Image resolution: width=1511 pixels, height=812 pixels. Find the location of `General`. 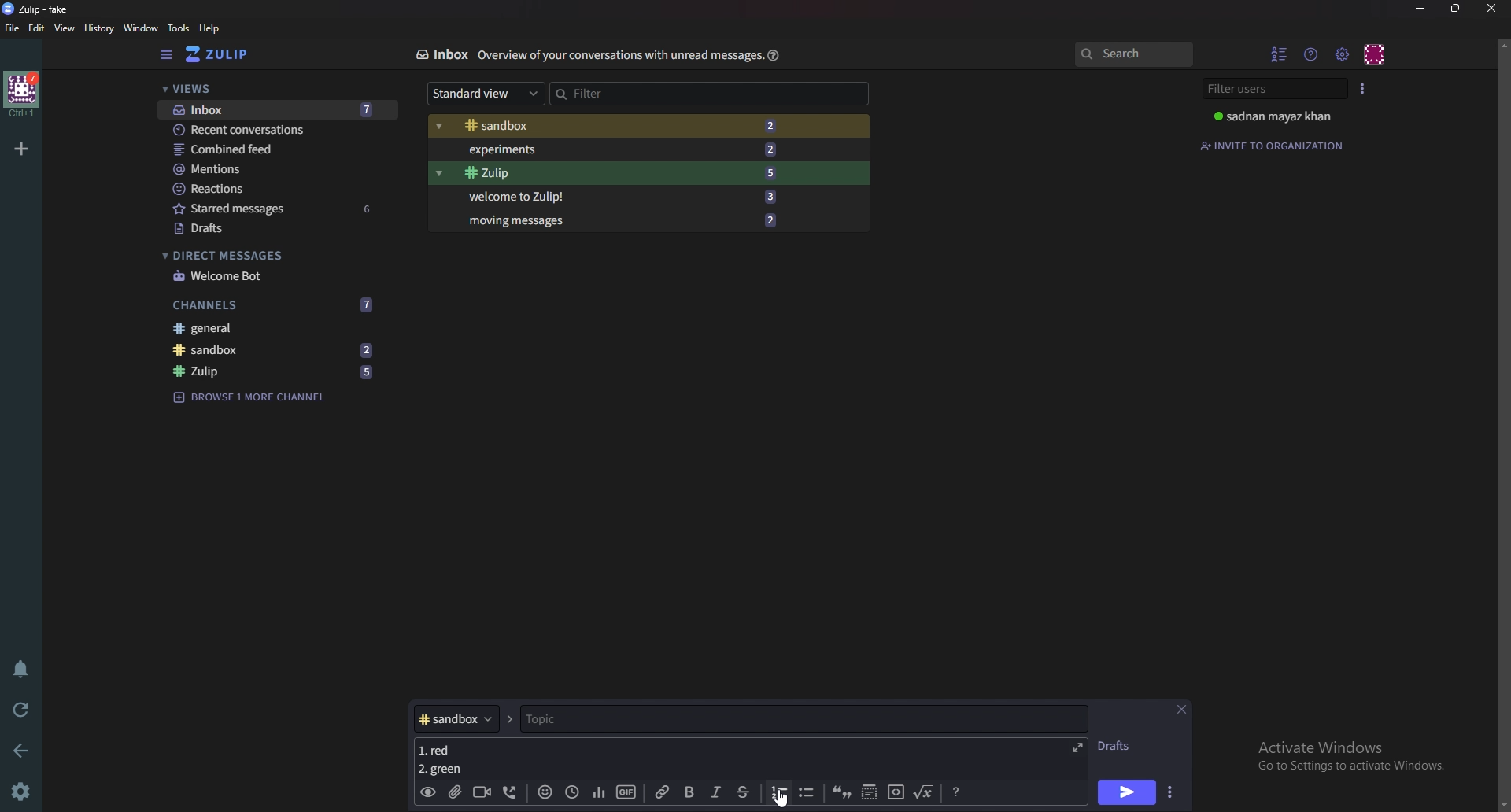

General is located at coordinates (275, 330).